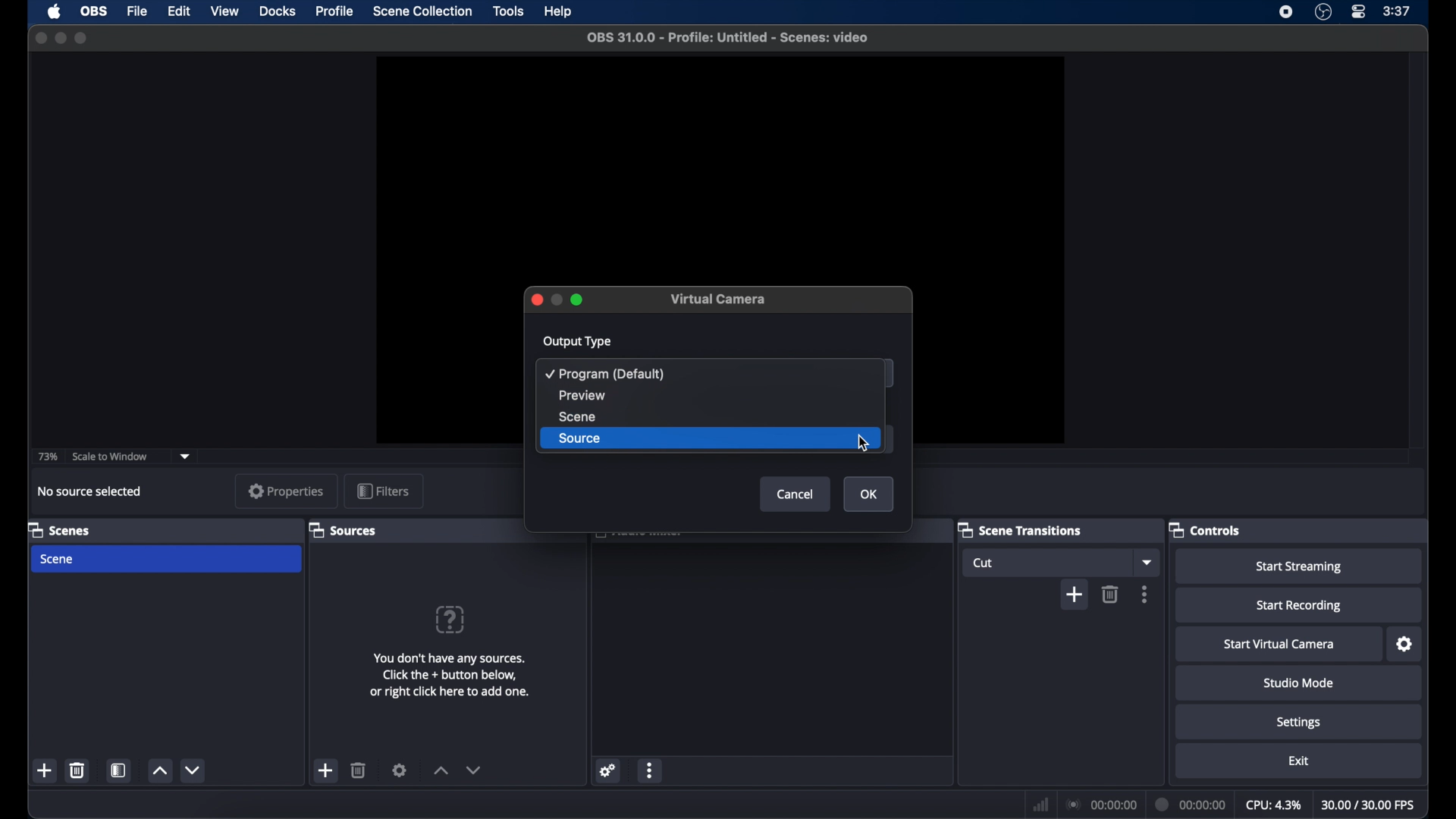 This screenshot has height=819, width=1456. Describe the element at coordinates (359, 770) in the screenshot. I see `delete` at that location.